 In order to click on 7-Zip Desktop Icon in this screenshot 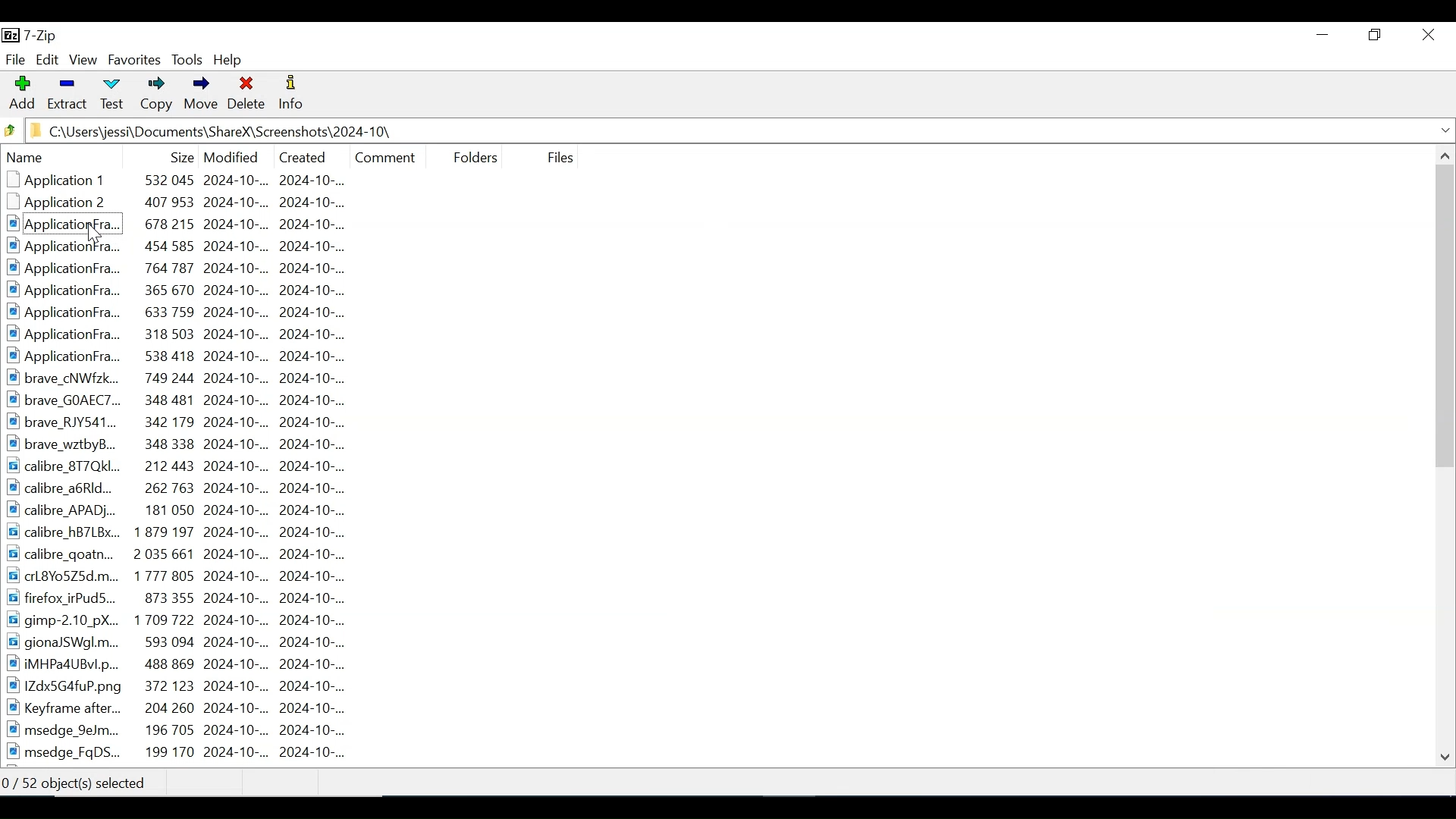, I will do `click(33, 36)`.